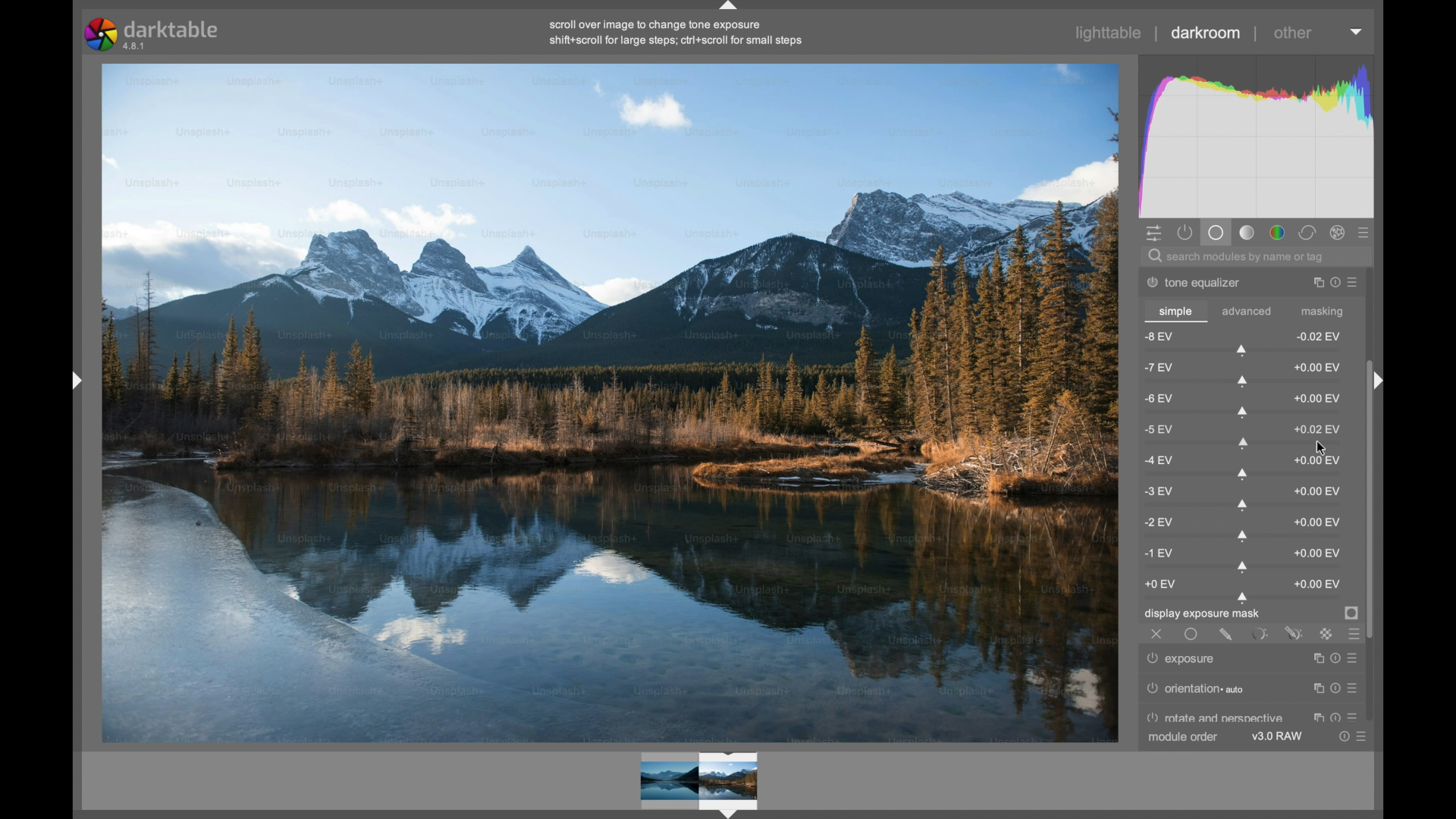 The height and width of the screenshot is (819, 1456). I want to click on instance, so click(1314, 281).